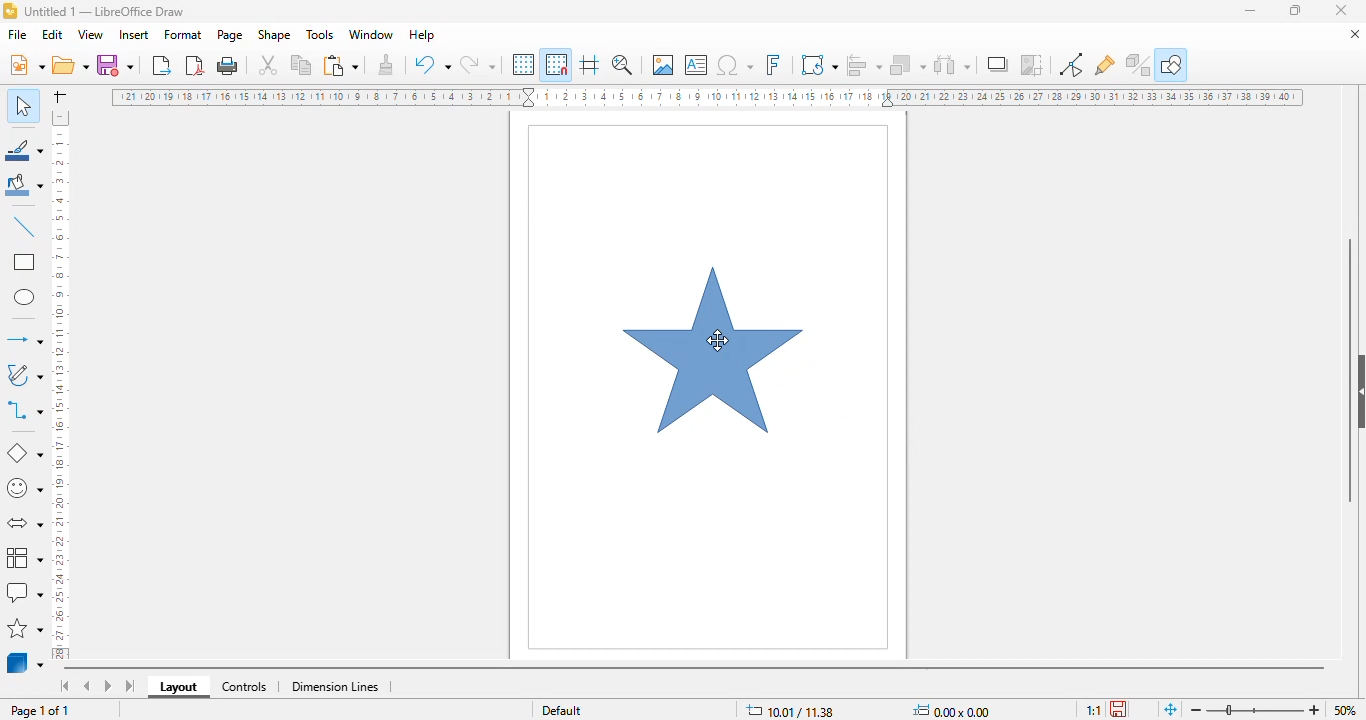  What do you see at coordinates (23, 187) in the screenshot?
I see `fill color` at bounding box center [23, 187].